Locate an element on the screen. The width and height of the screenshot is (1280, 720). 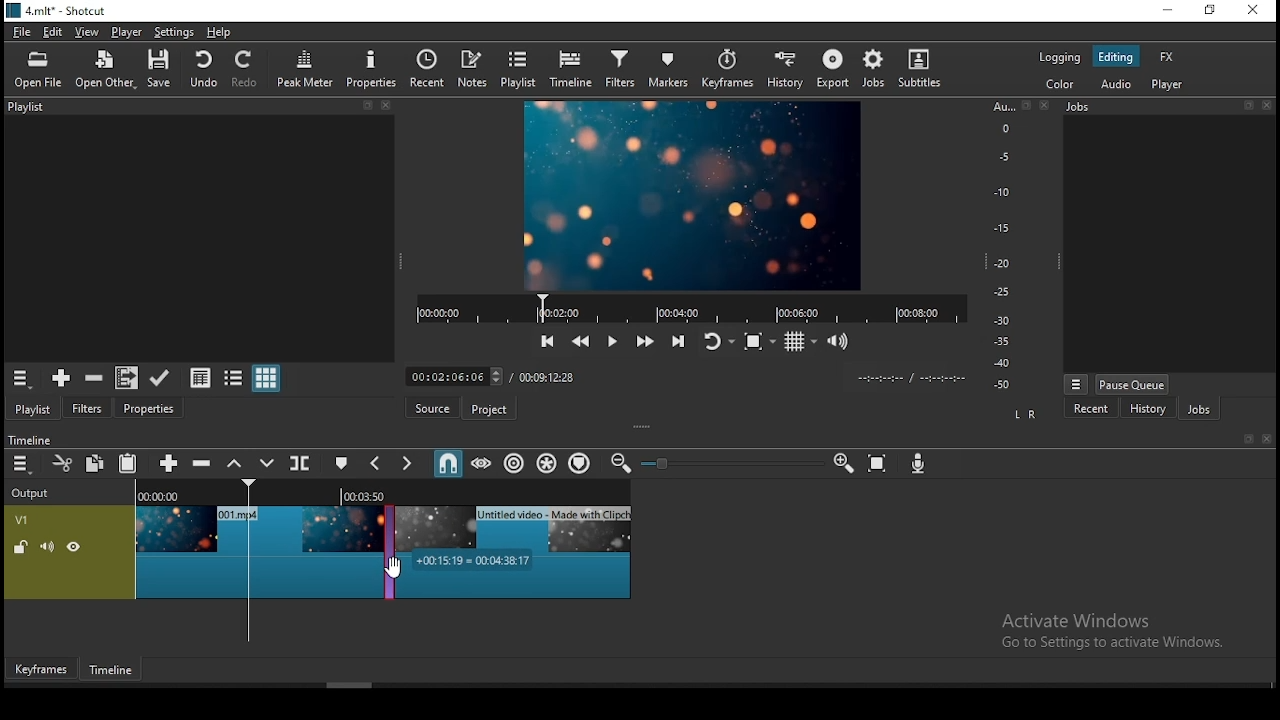
keyframes is located at coordinates (41, 666).